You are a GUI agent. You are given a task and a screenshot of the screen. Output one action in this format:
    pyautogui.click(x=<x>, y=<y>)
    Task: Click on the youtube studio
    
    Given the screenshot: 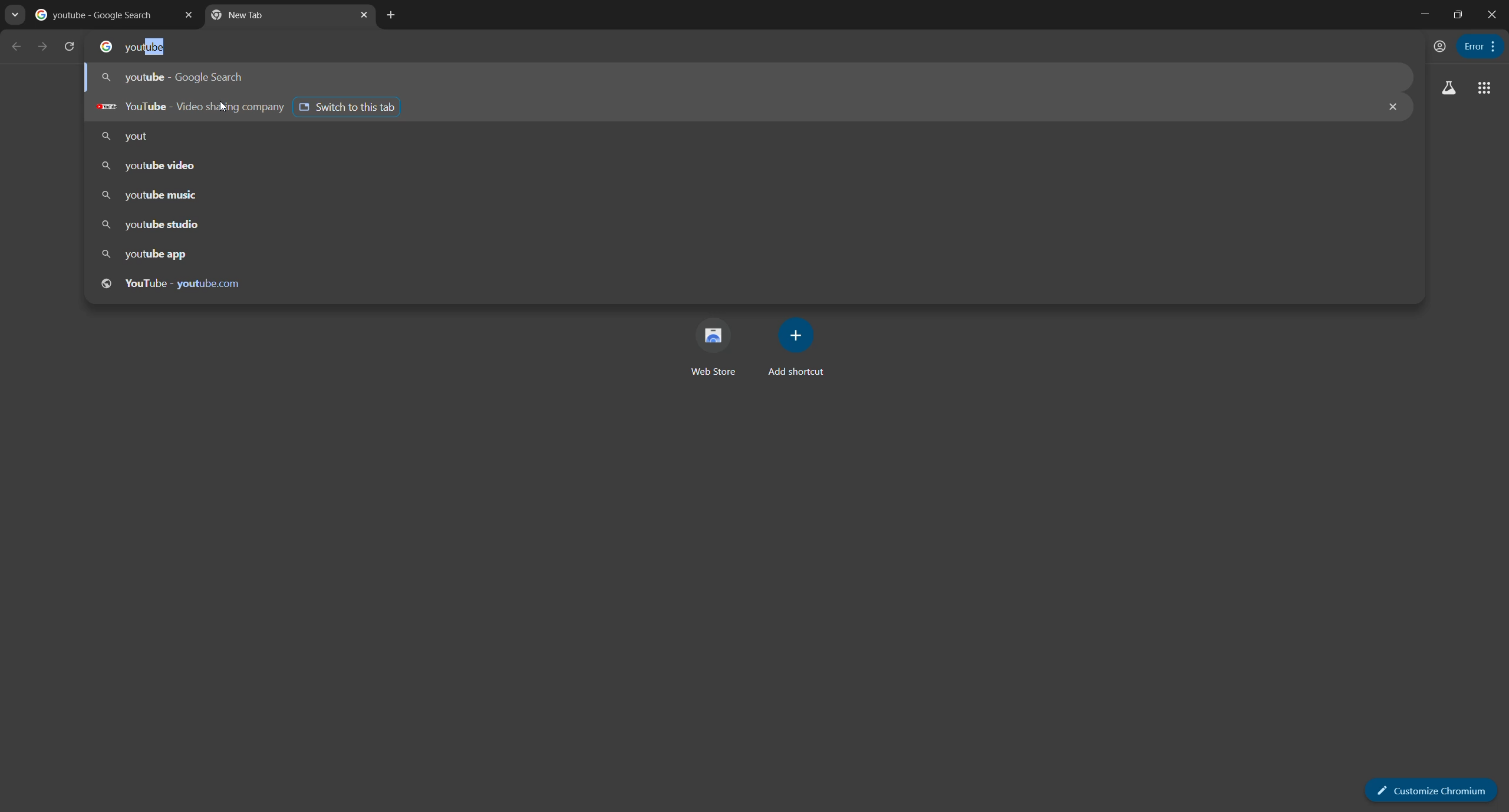 What is the action you would take?
    pyautogui.click(x=151, y=226)
    